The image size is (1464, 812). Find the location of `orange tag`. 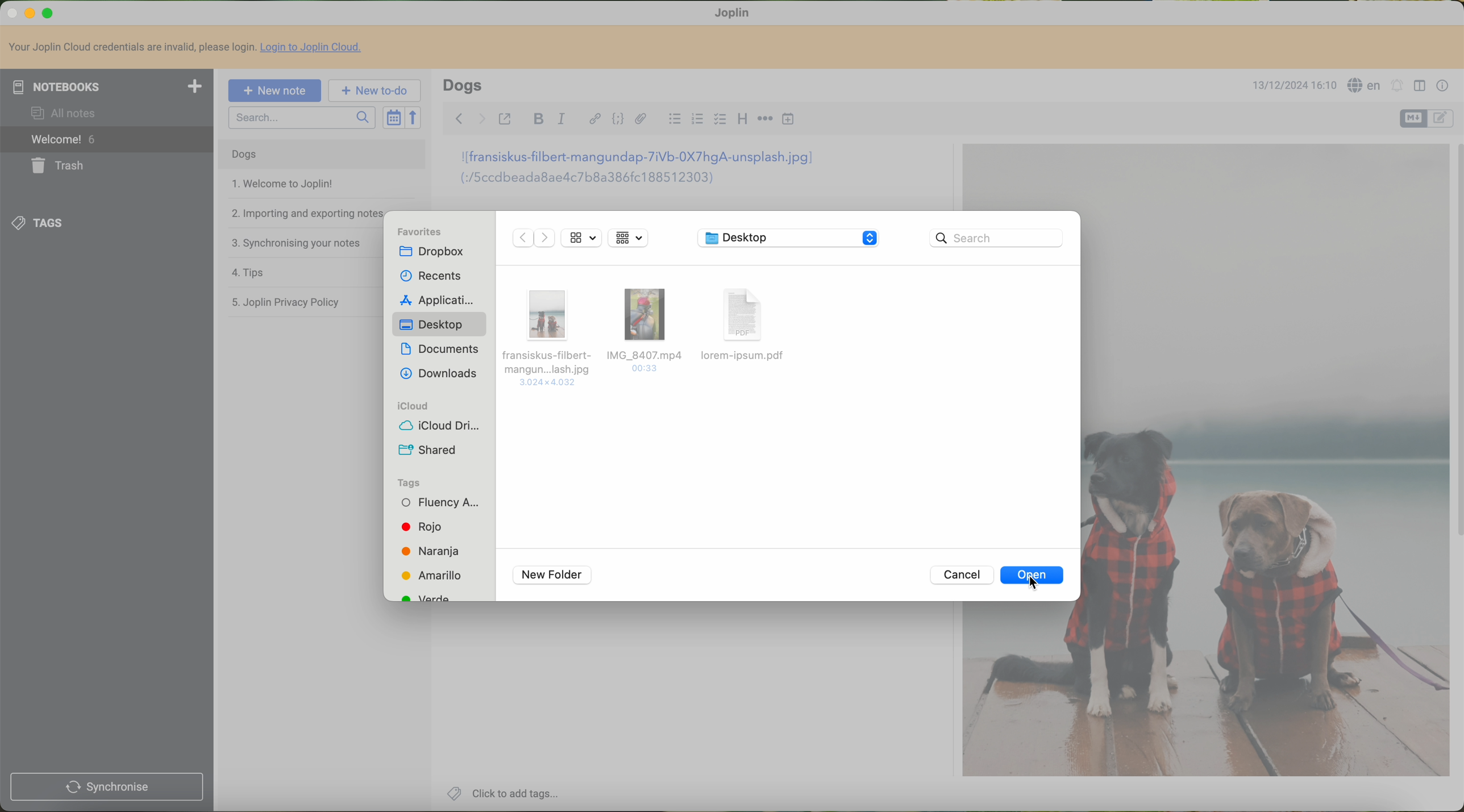

orange tag is located at coordinates (430, 553).